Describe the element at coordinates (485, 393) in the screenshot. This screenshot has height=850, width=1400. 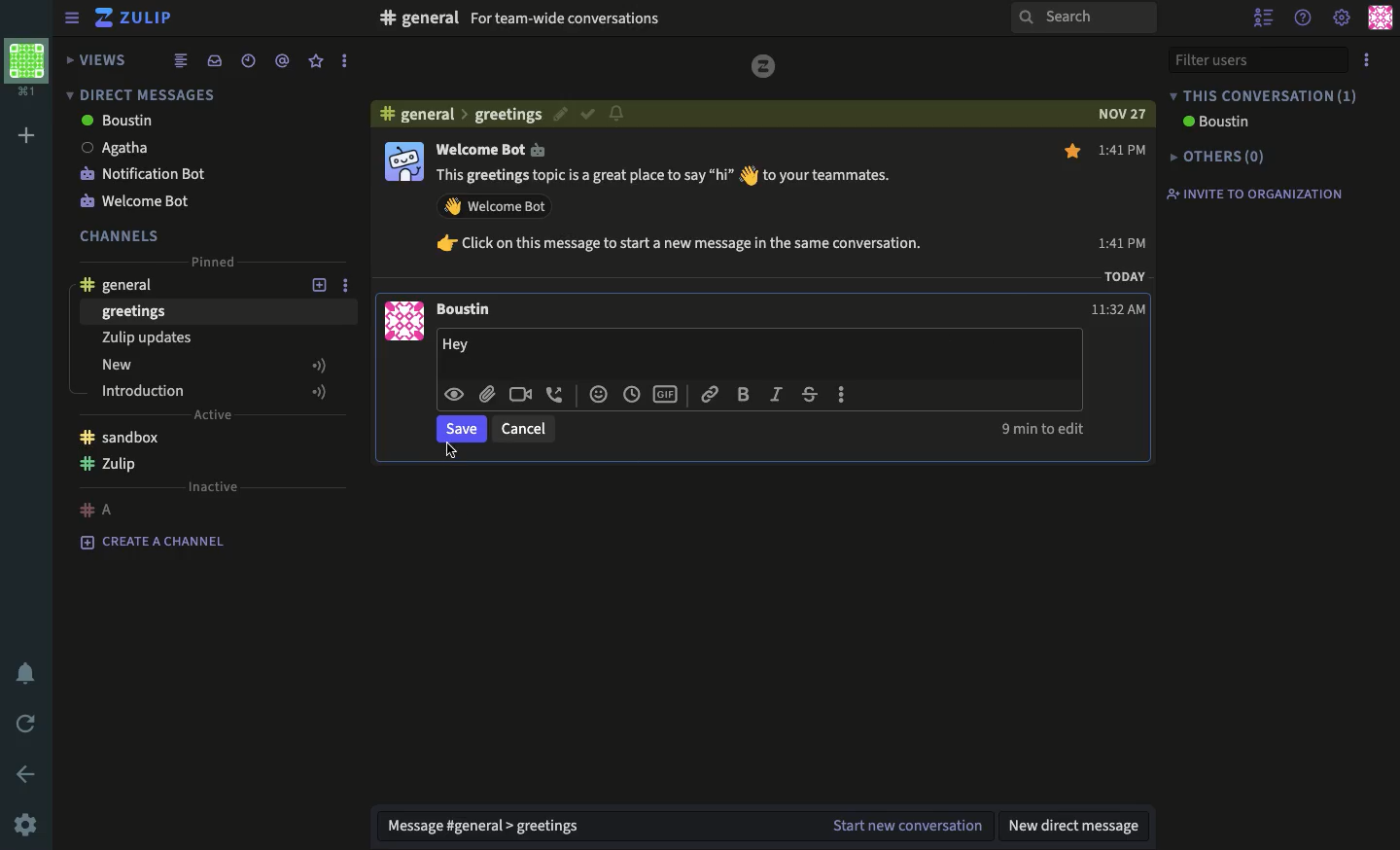
I see `attachment` at that location.